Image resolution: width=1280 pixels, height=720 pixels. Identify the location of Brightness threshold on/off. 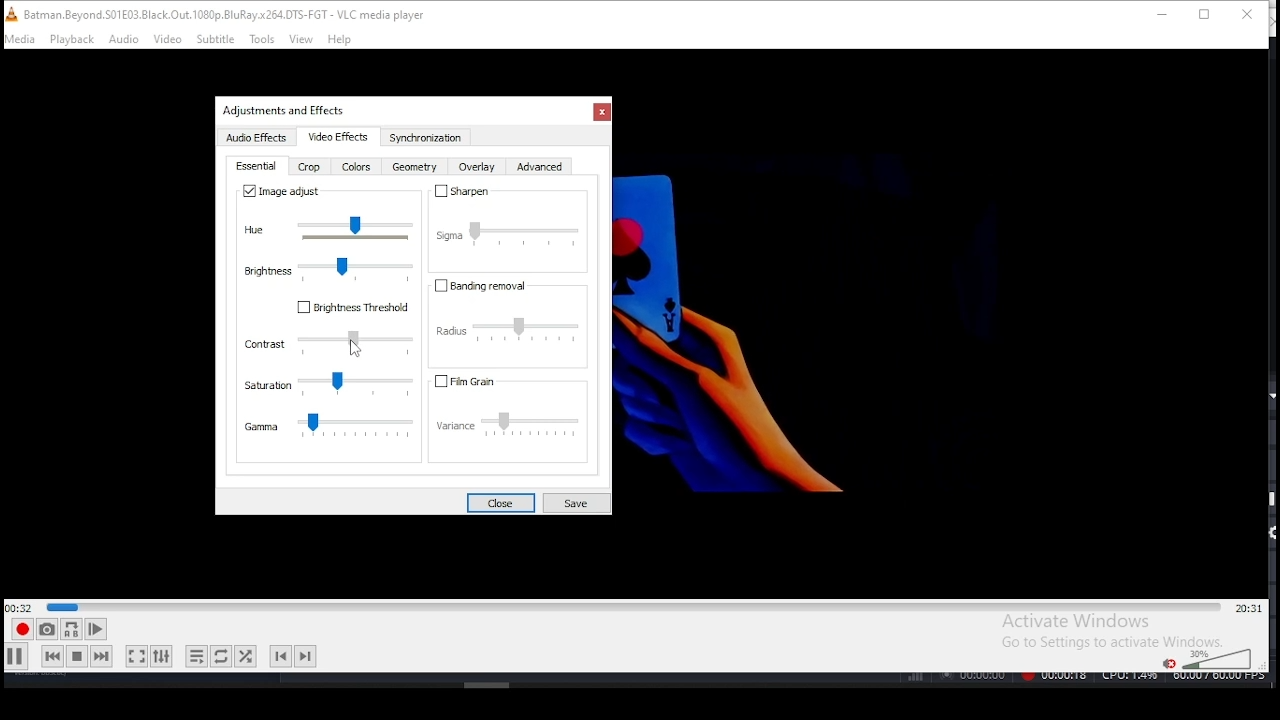
(353, 311).